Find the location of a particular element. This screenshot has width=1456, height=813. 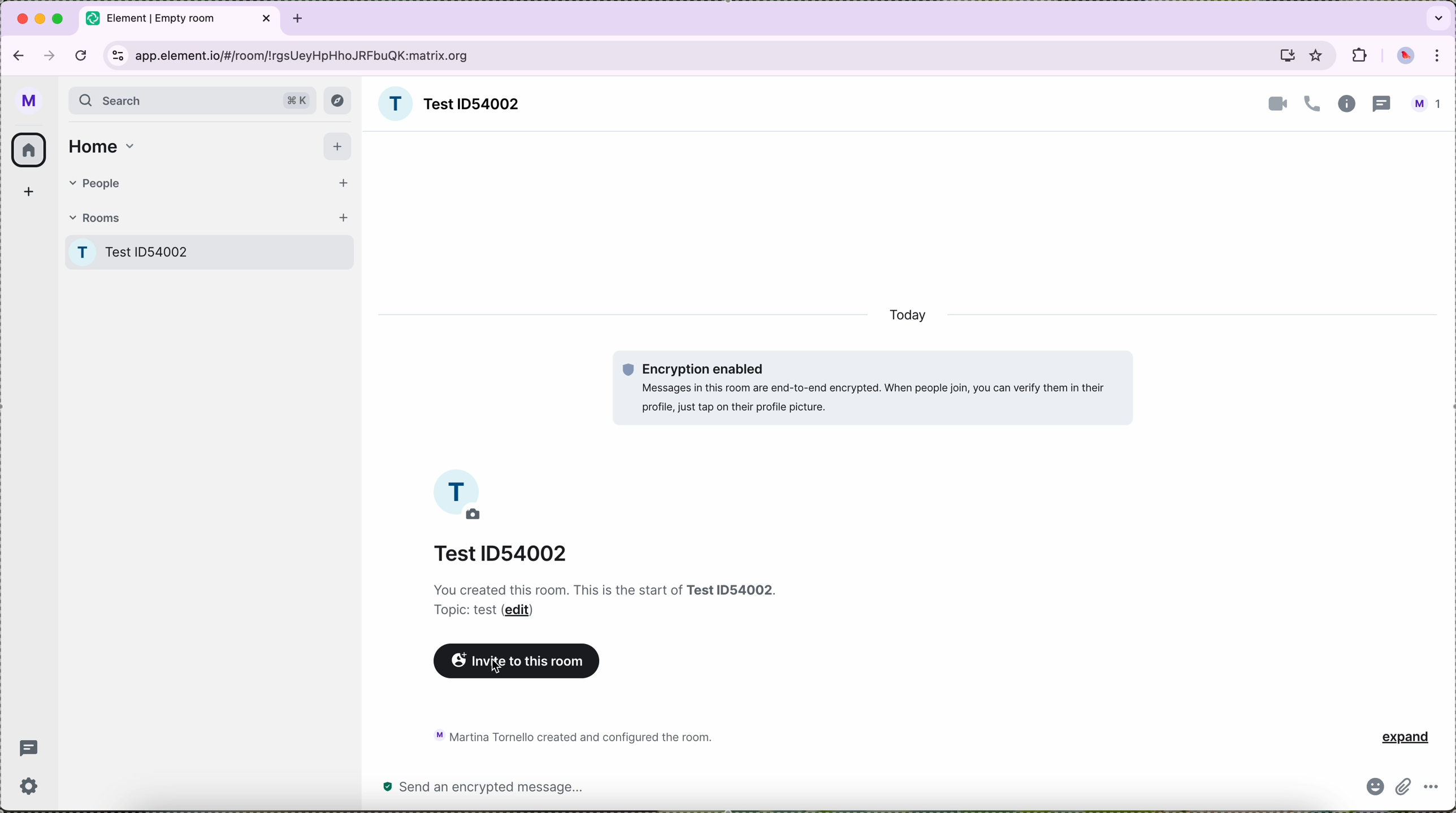

minimize is located at coordinates (42, 19).